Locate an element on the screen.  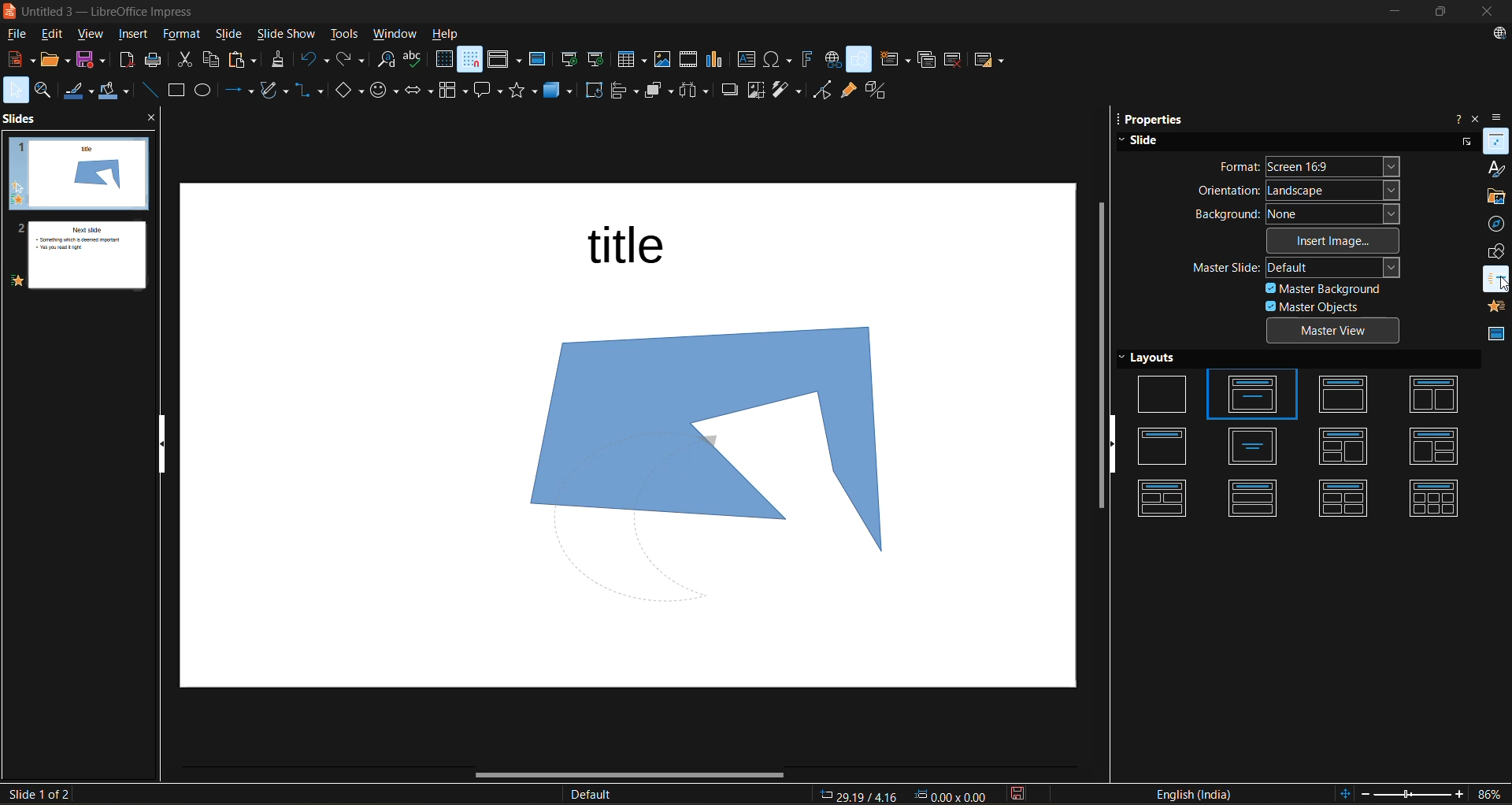
rectangle is located at coordinates (177, 91).